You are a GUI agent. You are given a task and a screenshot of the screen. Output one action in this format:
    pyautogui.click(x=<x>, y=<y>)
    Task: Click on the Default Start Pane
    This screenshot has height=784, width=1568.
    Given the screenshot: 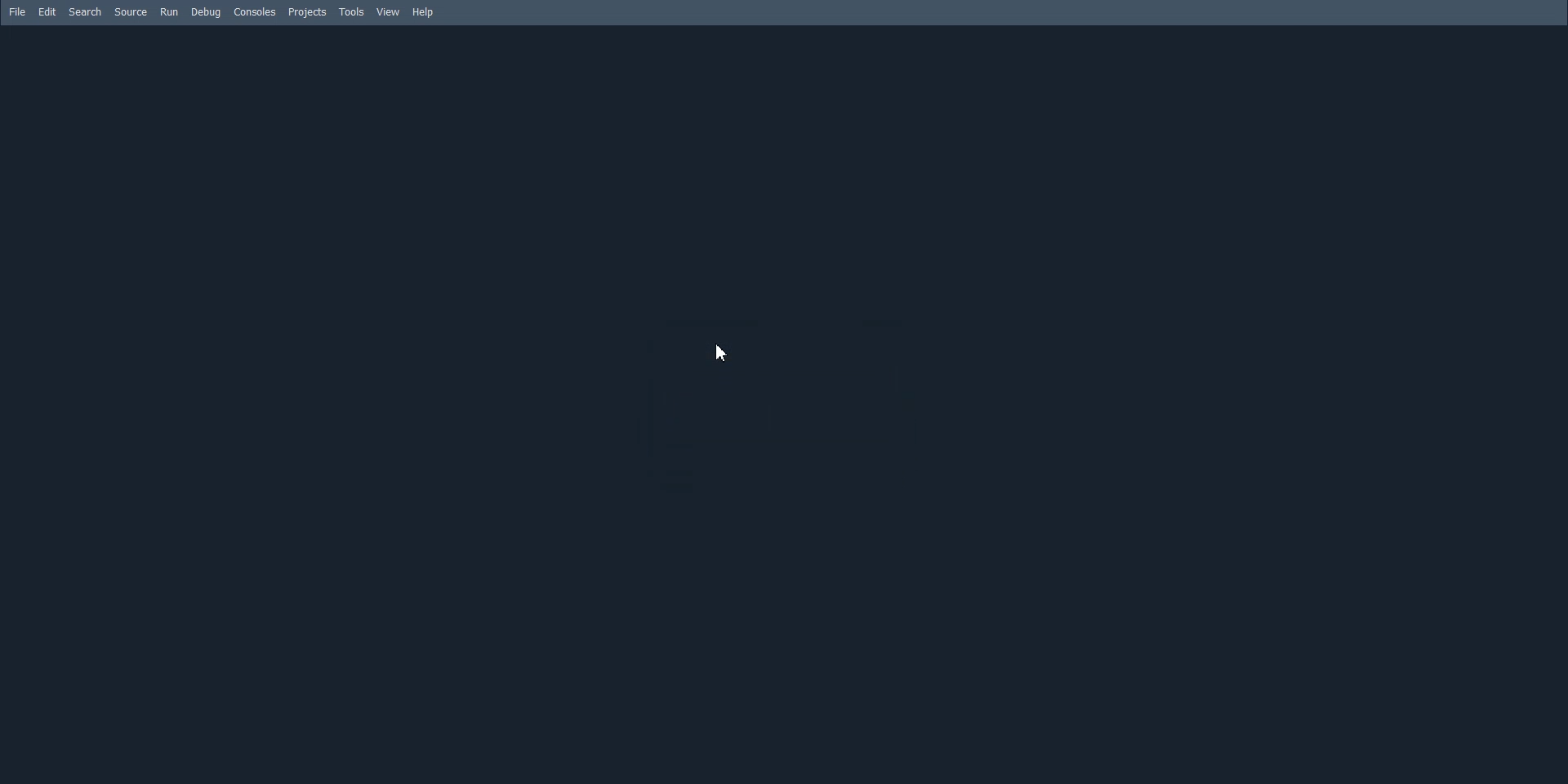 What is the action you would take?
    pyautogui.click(x=781, y=403)
    